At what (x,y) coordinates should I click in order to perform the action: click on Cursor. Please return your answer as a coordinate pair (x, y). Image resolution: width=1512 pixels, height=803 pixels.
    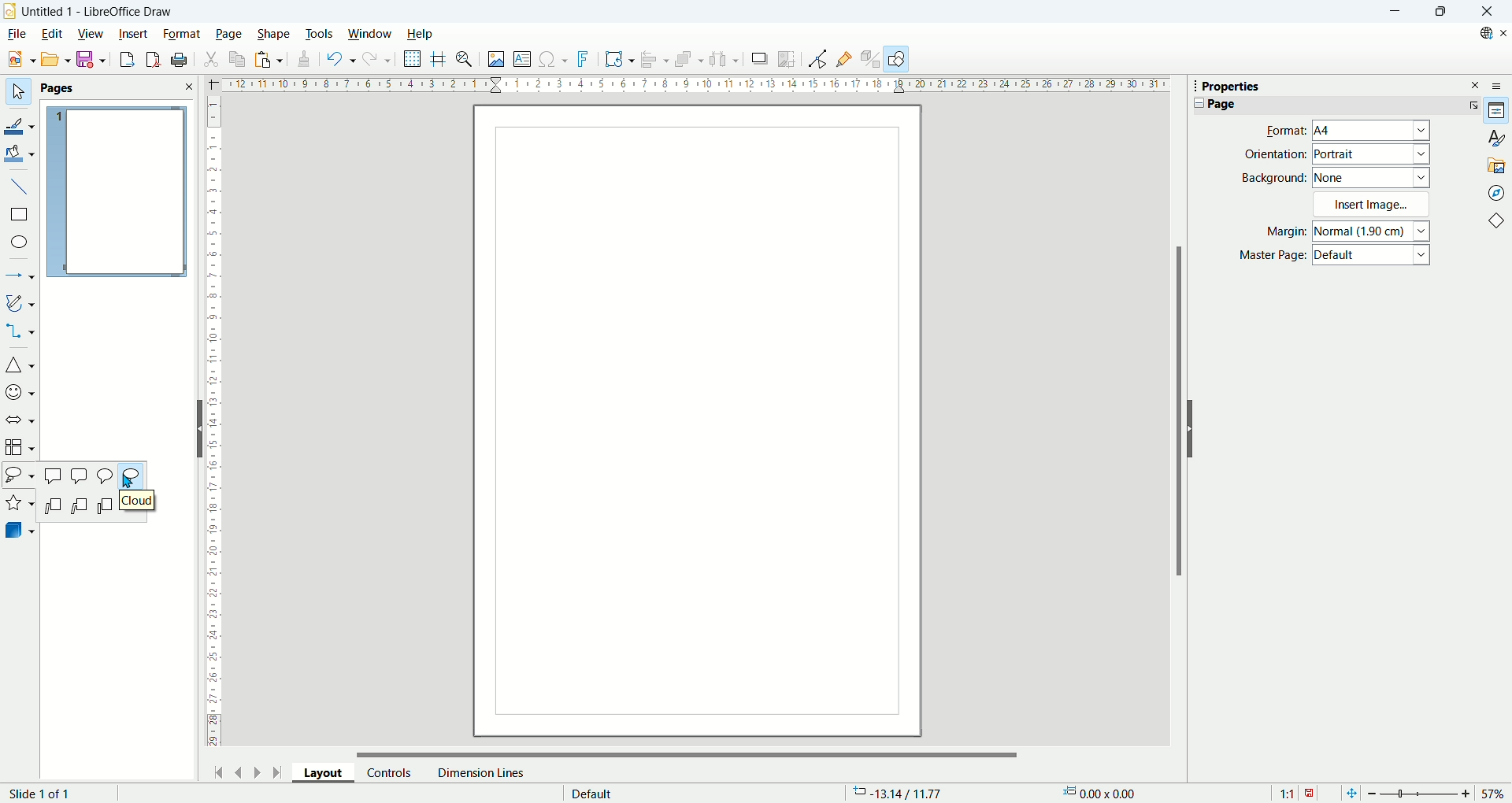
    Looking at the image, I should click on (132, 483).